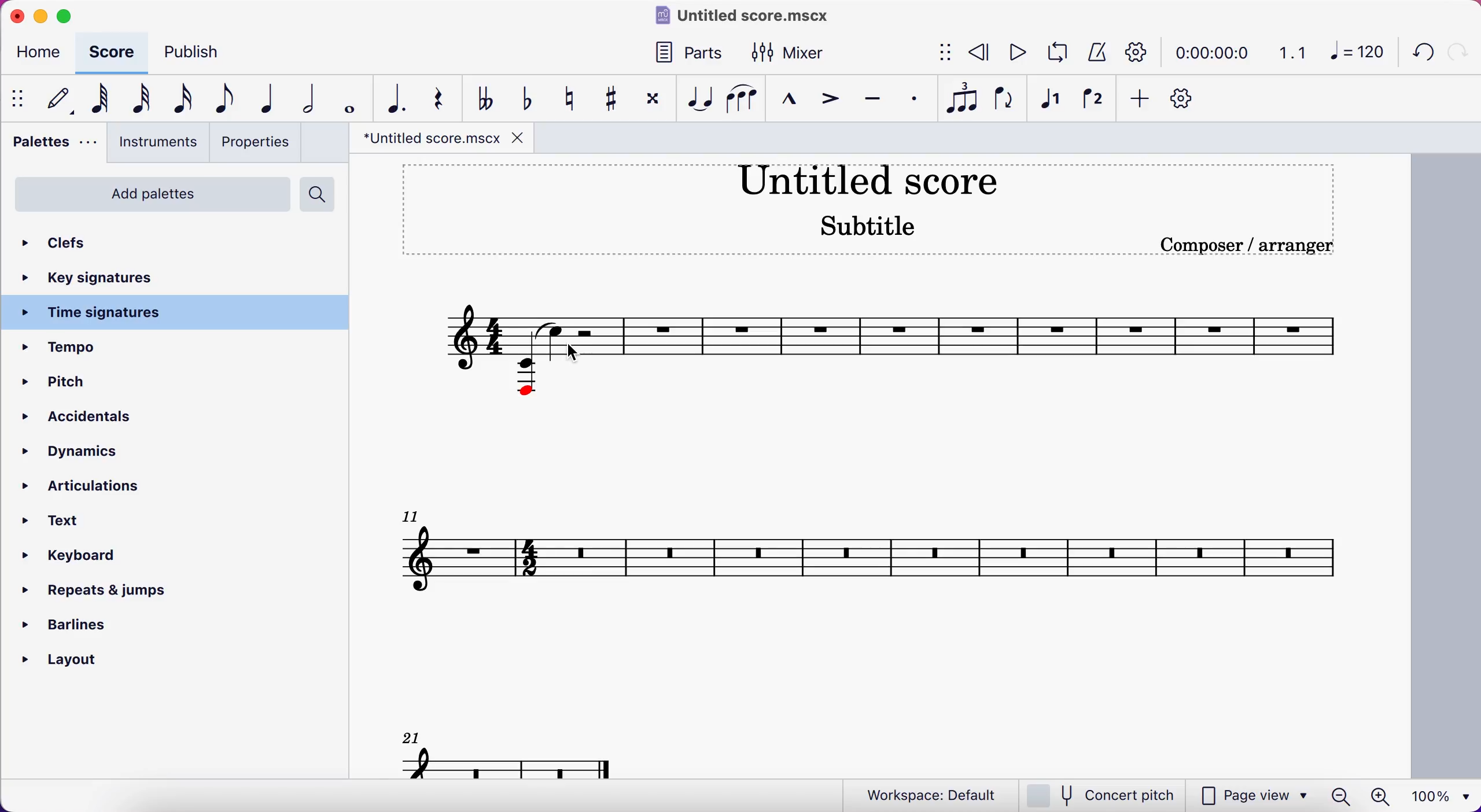 This screenshot has width=1481, height=812. I want to click on search palette, so click(321, 197).